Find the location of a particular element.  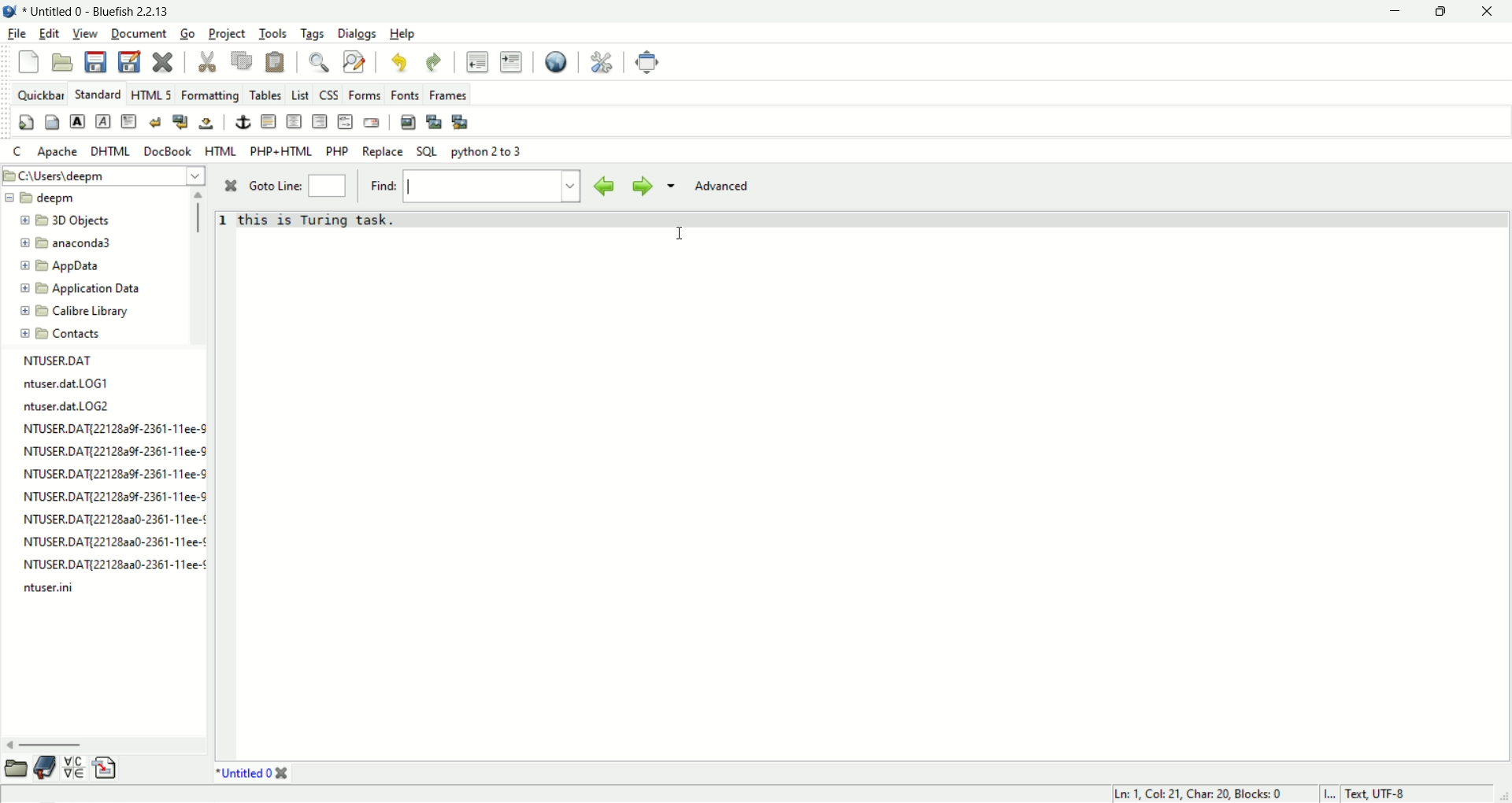

Contacts is located at coordinates (74, 332).